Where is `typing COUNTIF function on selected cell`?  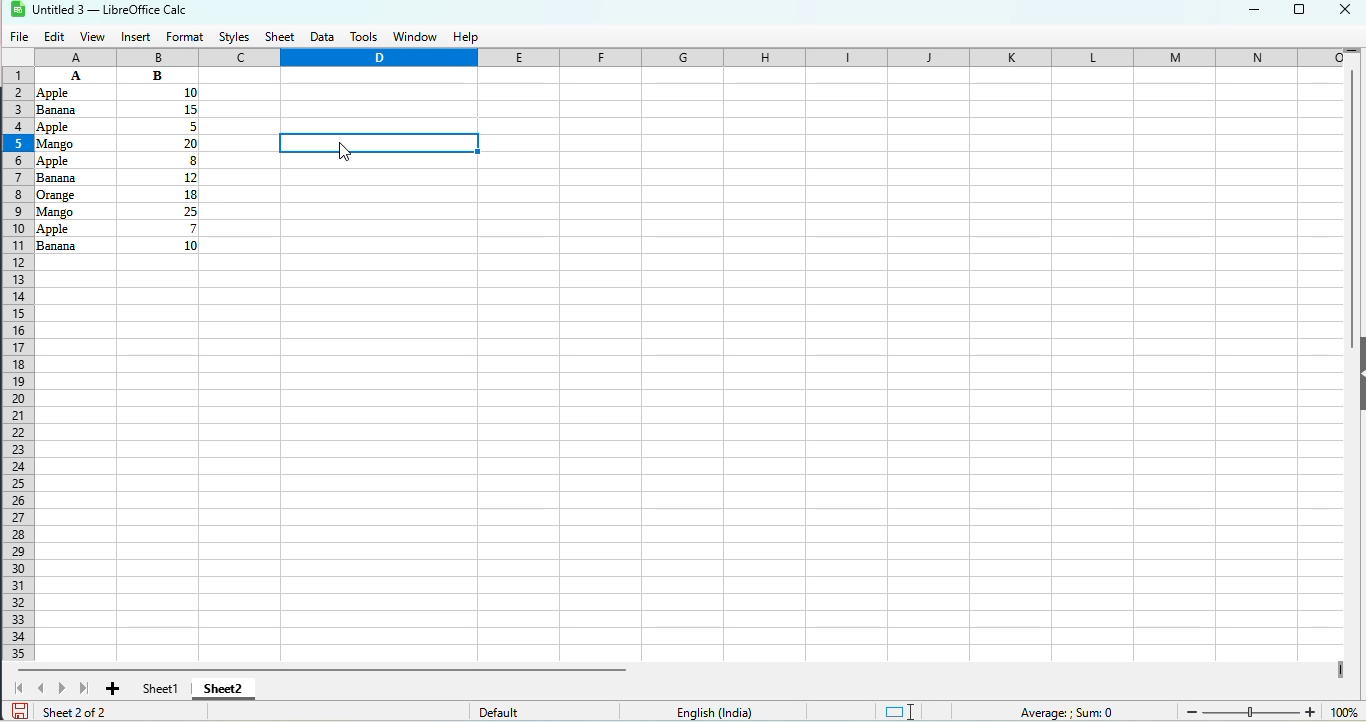 typing COUNTIF function on selected cell is located at coordinates (379, 142).